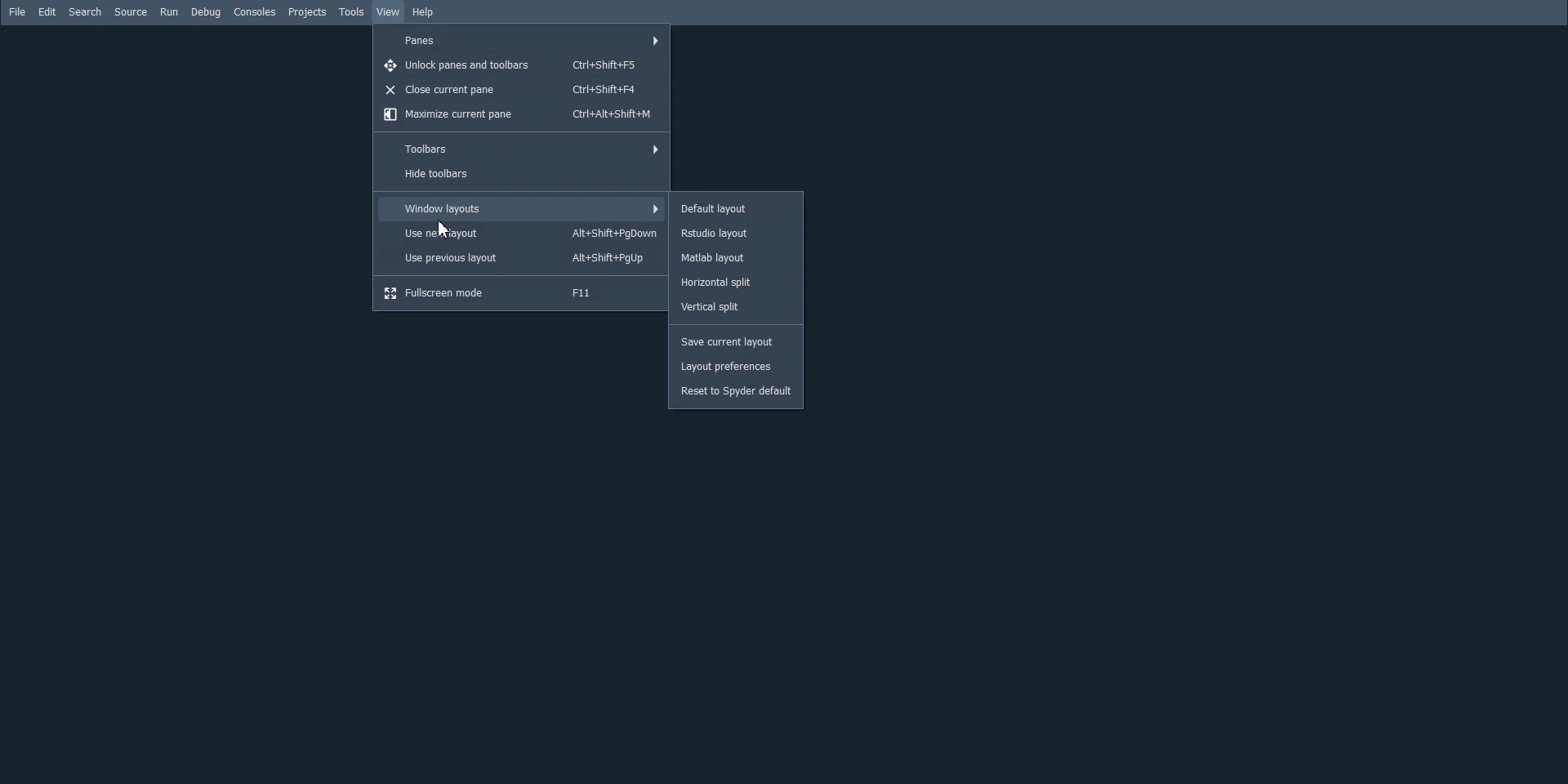  What do you see at coordinates (521, 293) in the screenshot?
I see `Fullscreen mode` at bounding box center [521, 293].